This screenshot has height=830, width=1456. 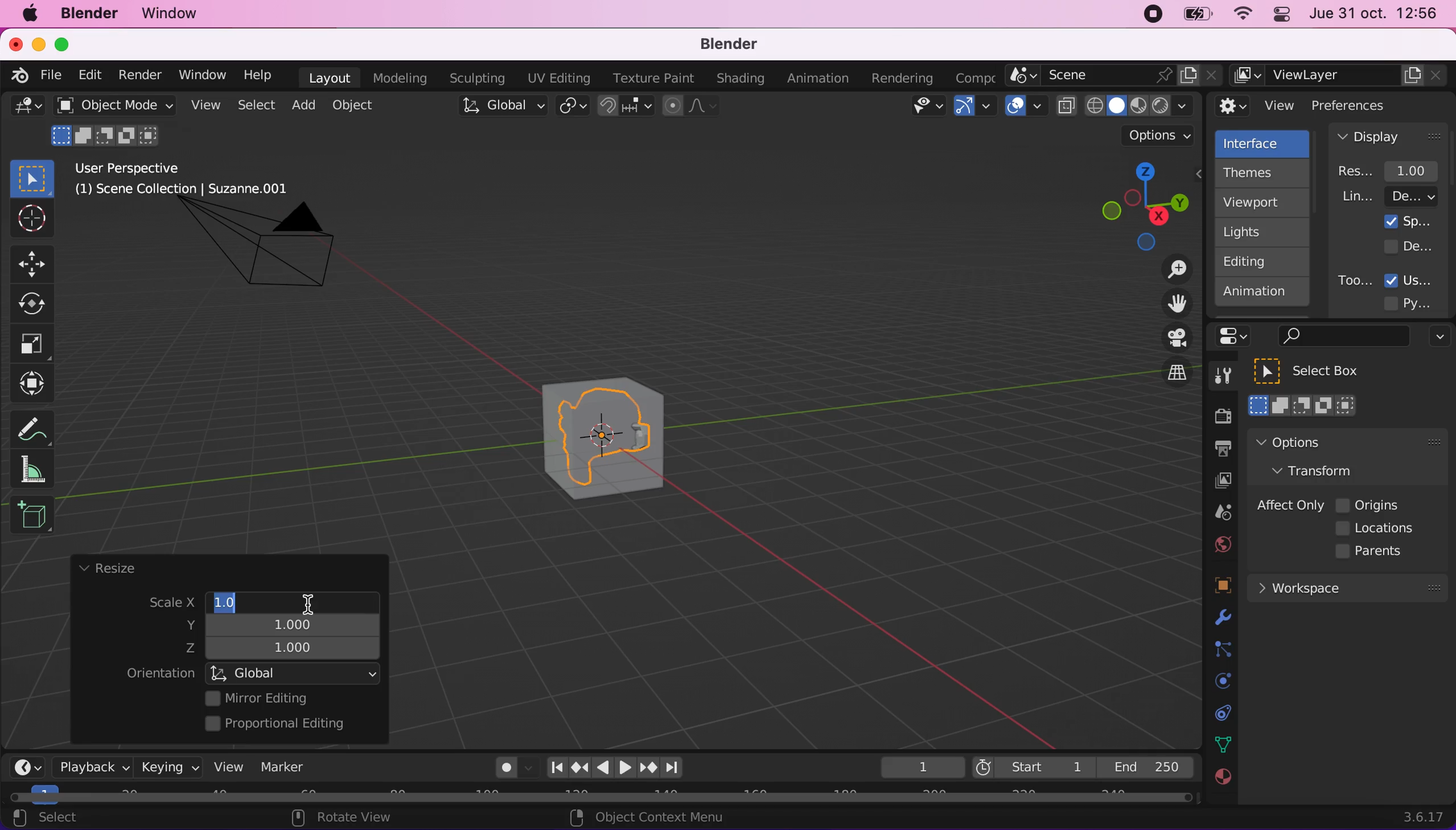 What do you see at coordinates (678, 768) in the screenshot?
I see `jump to endpoint` at bounding box center [678, 768].